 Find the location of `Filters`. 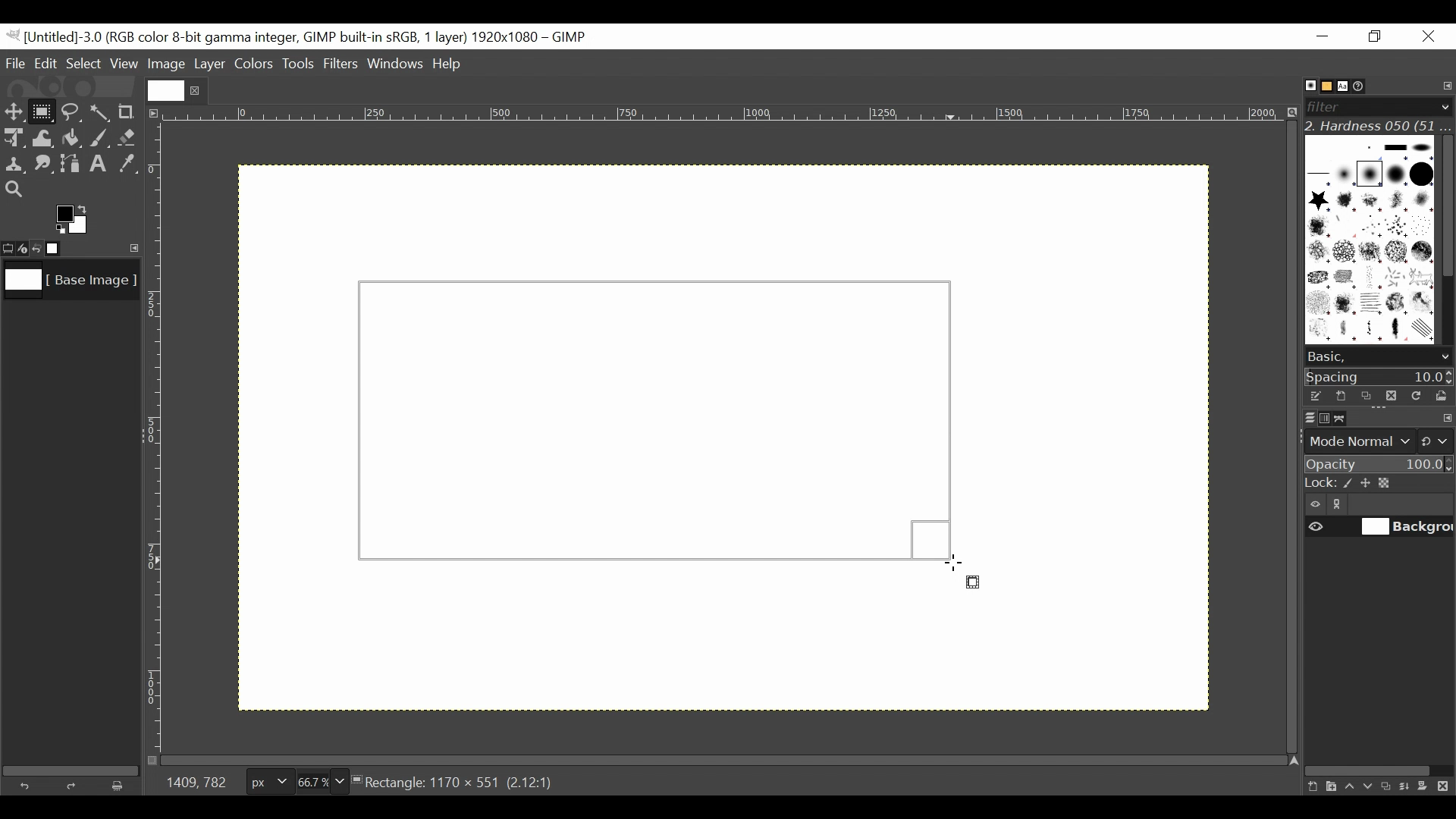

Filters is located at coordinates (342, 65).